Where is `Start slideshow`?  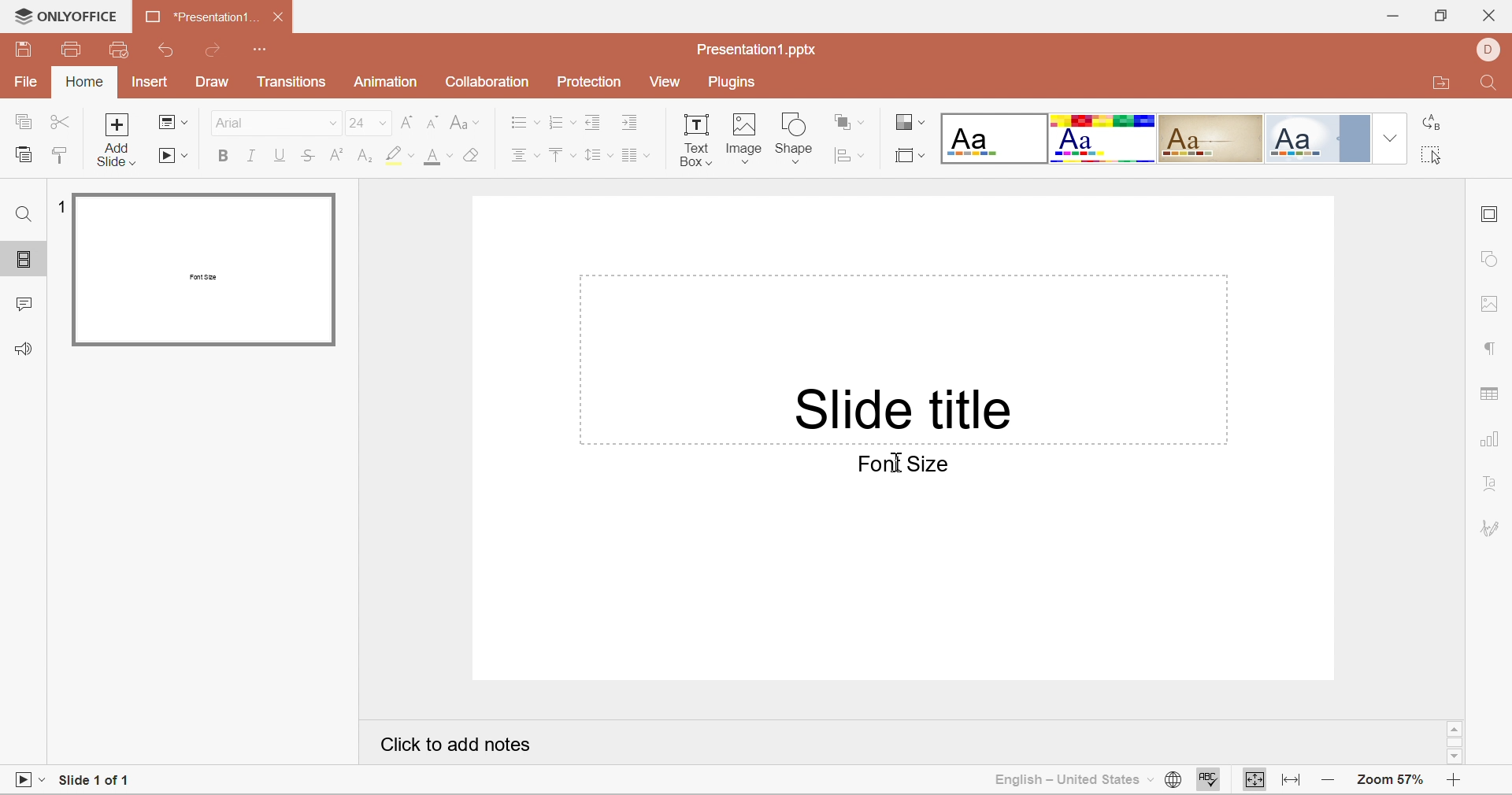 Start slideshow is located at coordinates (27, 780).